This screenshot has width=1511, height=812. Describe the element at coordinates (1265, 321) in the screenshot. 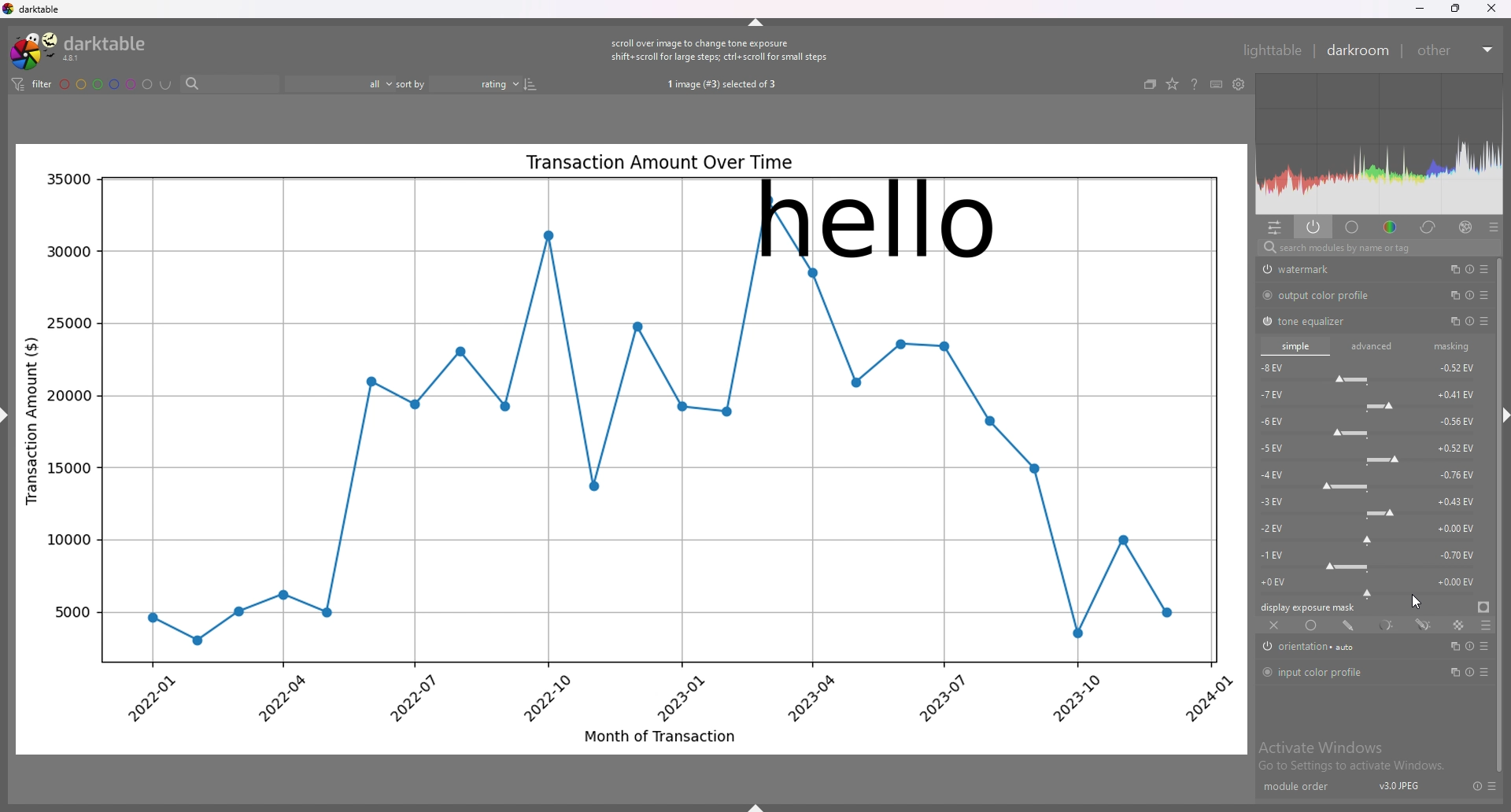

I see `switch off/on` at that location.